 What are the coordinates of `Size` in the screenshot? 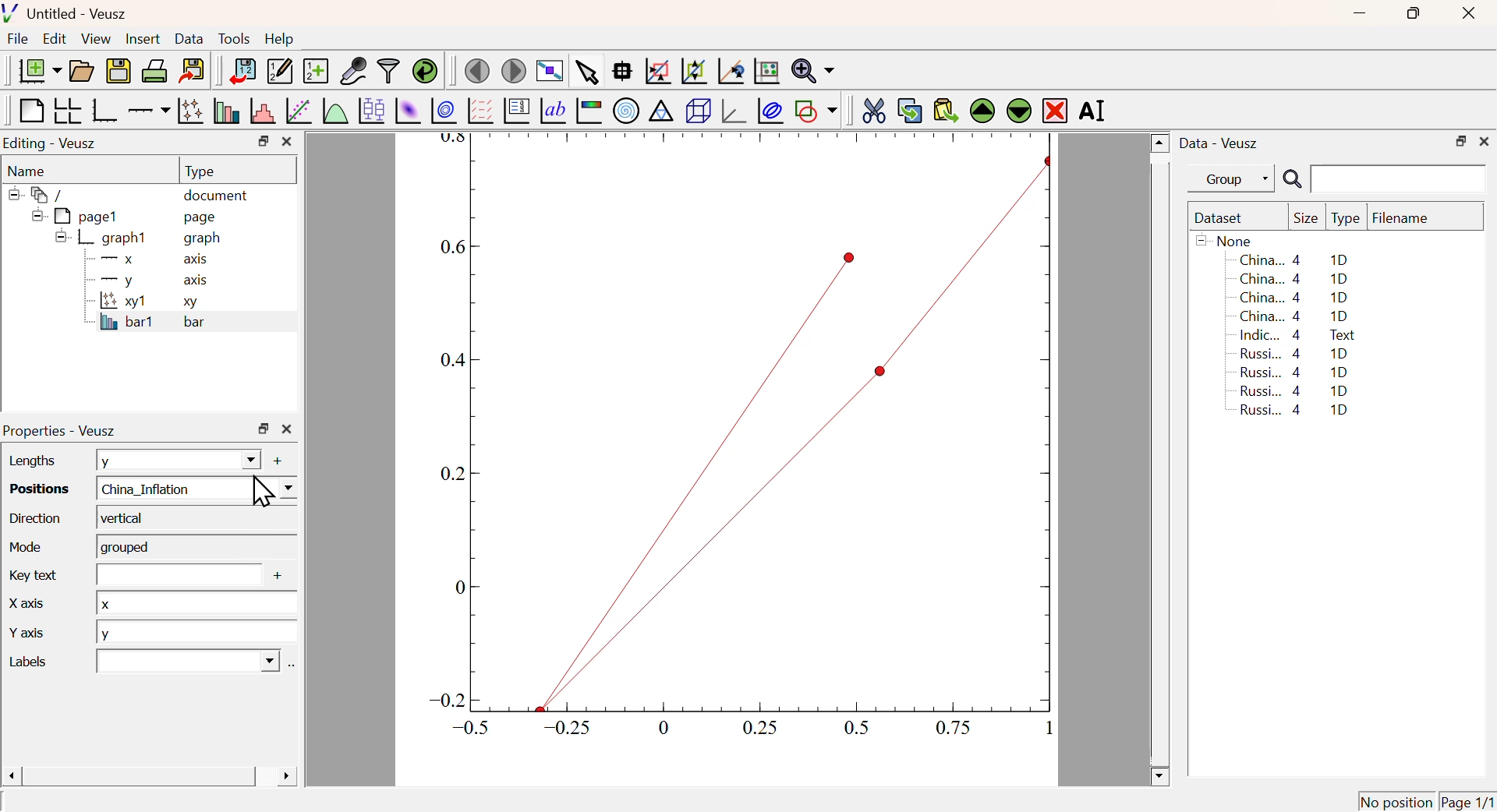 It's located at (1306, 219).